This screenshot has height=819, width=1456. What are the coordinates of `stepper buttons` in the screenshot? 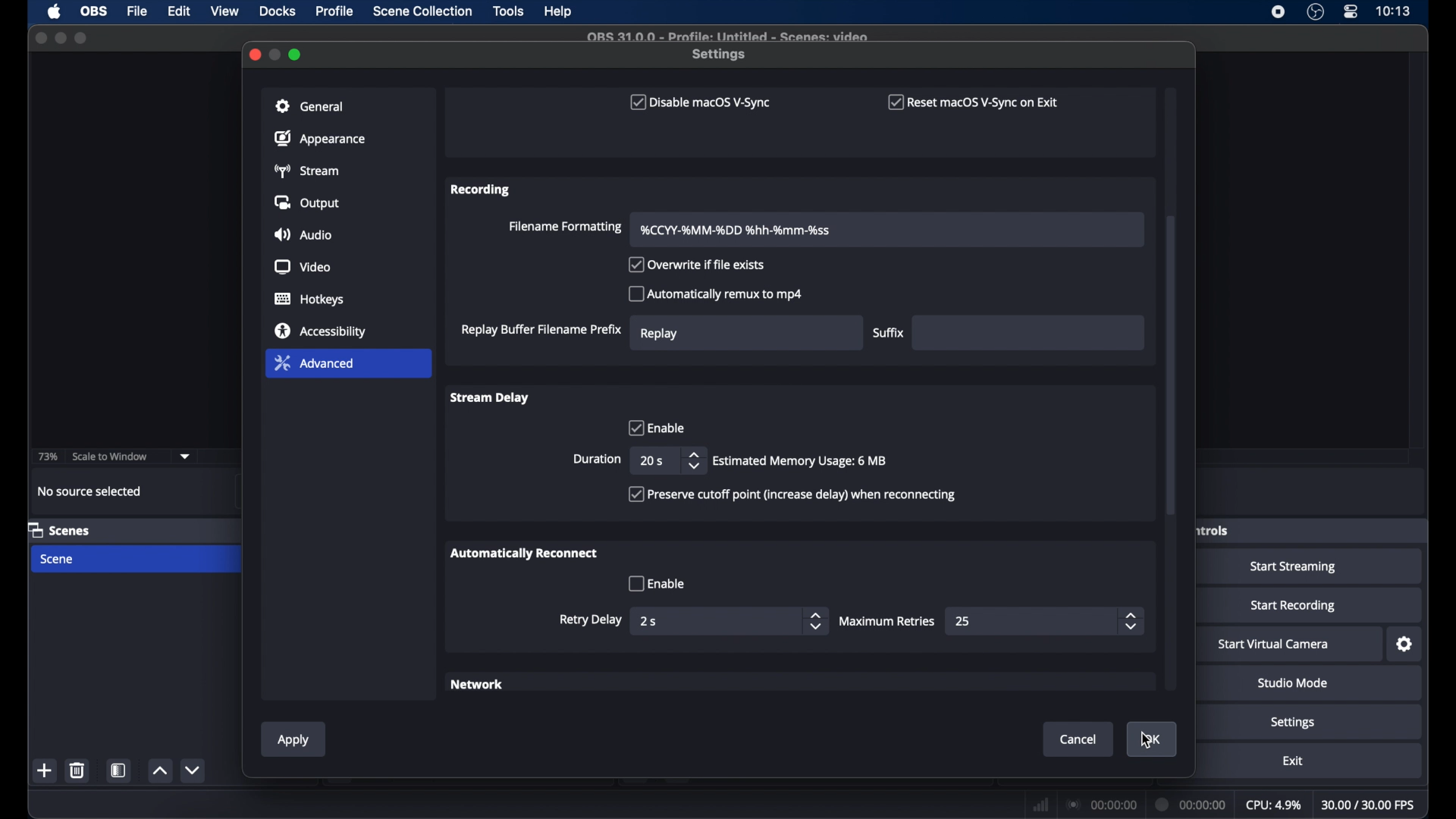 It's located at (693, 460).